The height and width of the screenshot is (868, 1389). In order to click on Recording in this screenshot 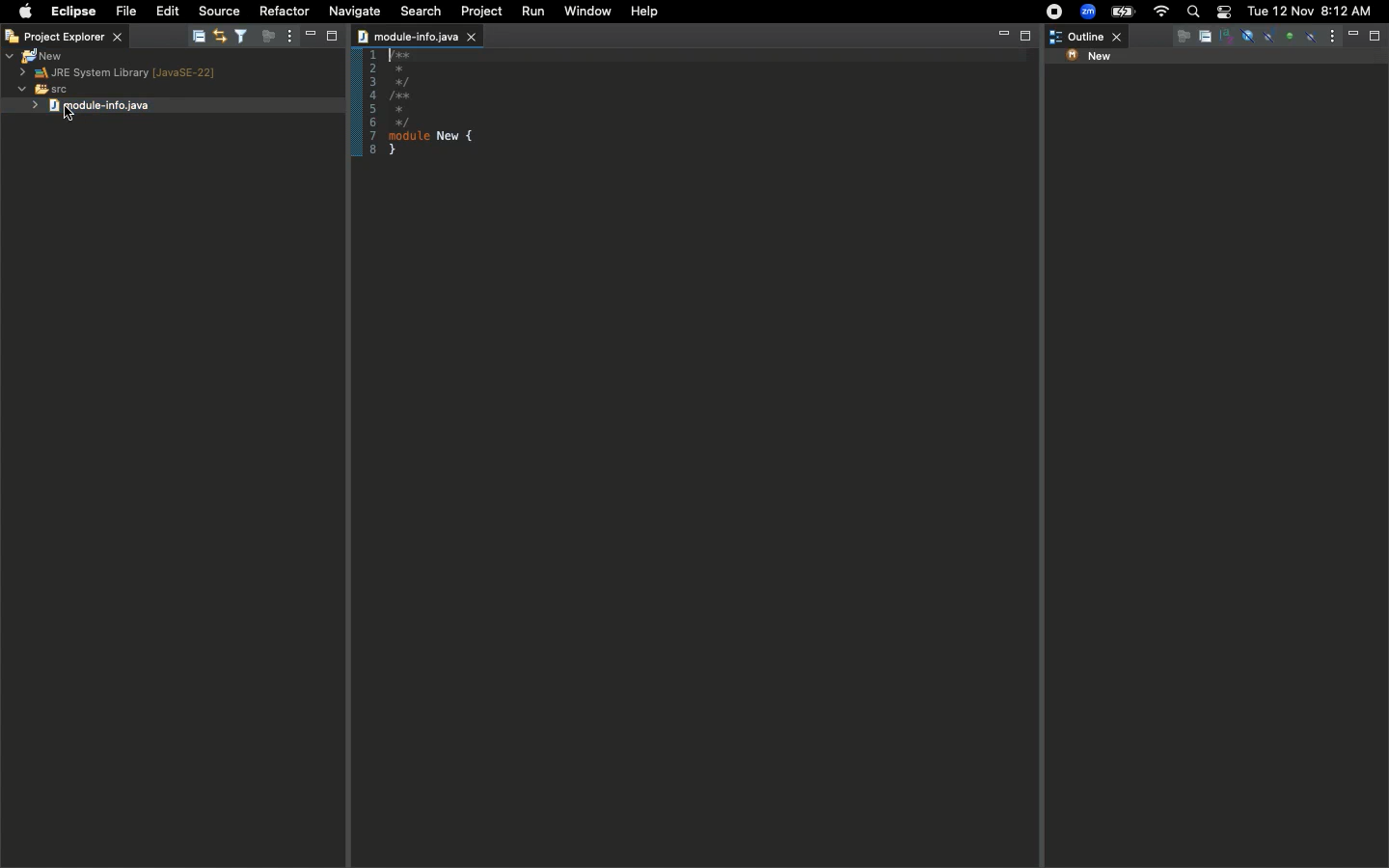, I will do `click(1049, 12)`.